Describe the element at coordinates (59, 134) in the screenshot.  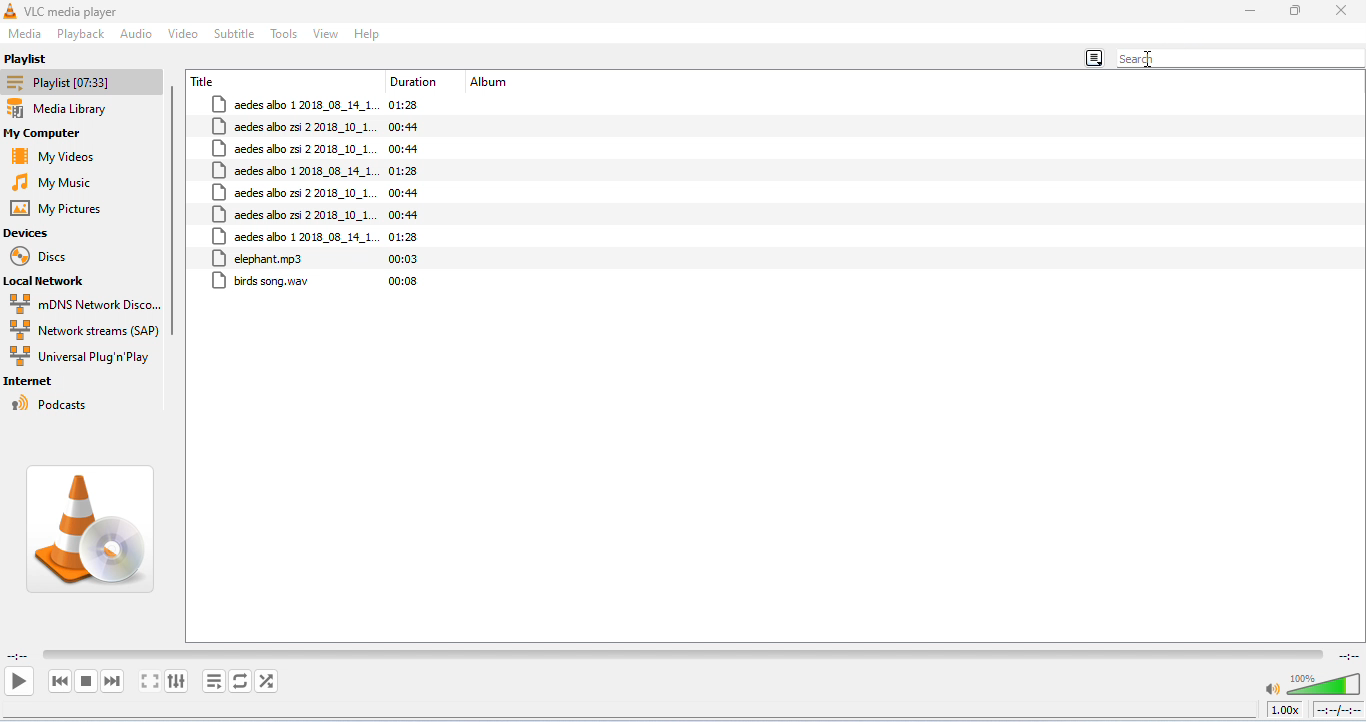
I see `my computer` at that location.